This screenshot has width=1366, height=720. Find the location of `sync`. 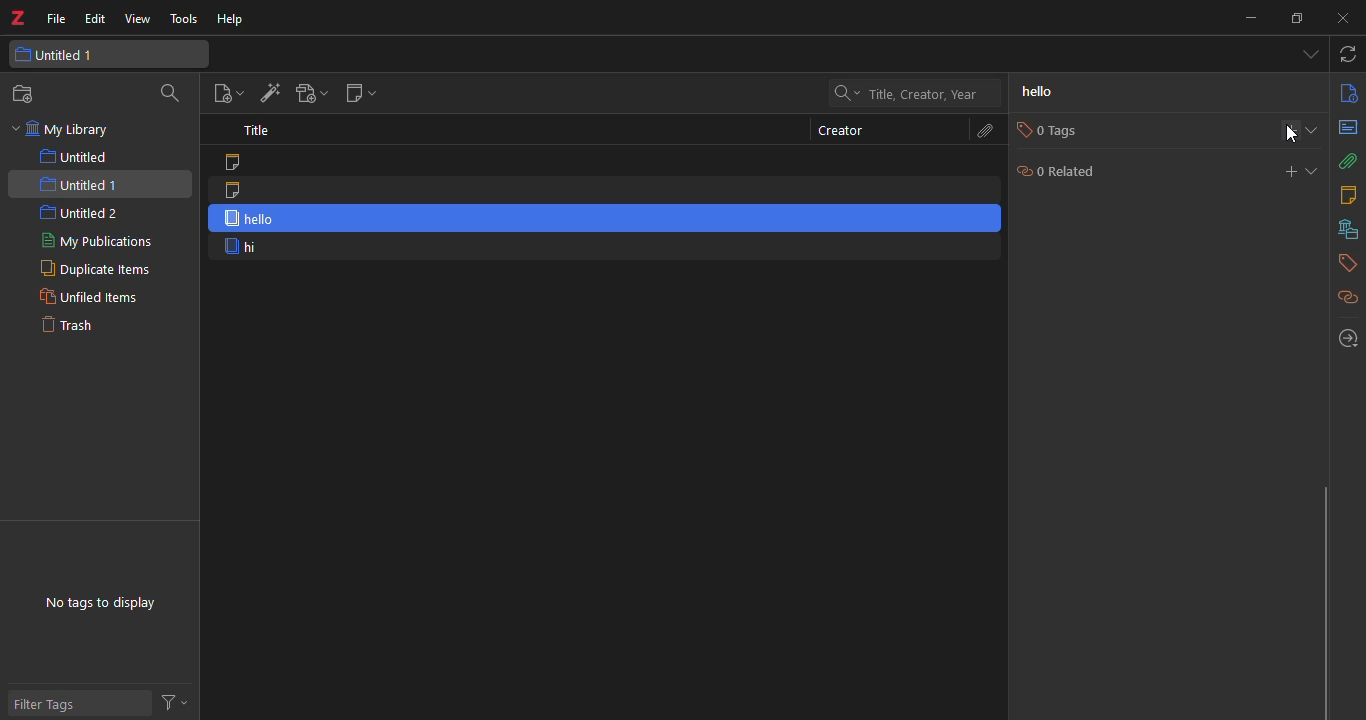

sync is located at coordinates (1349, 56).